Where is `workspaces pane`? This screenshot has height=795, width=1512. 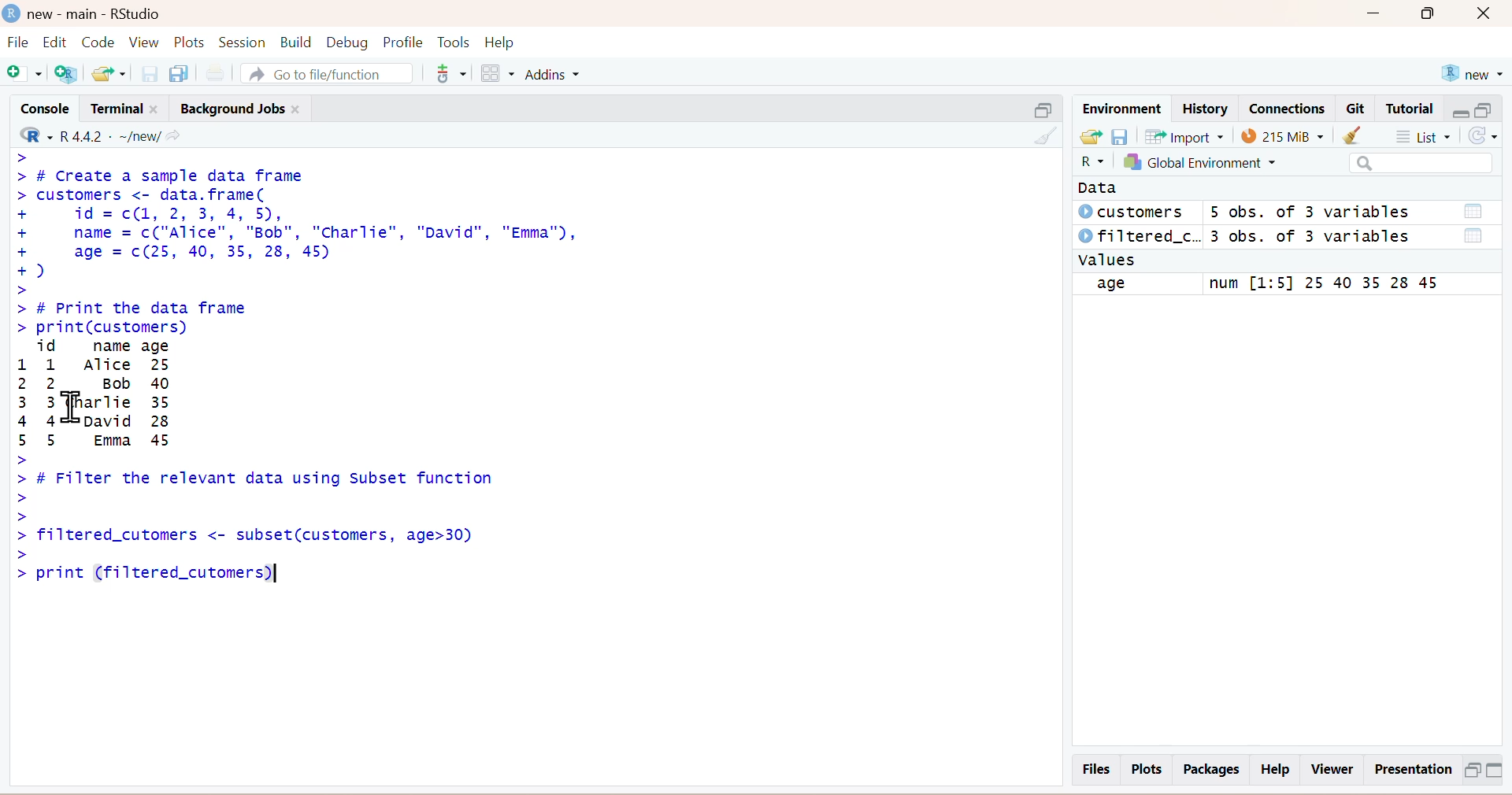 workspaces pane is located at coordinates (495, 71).